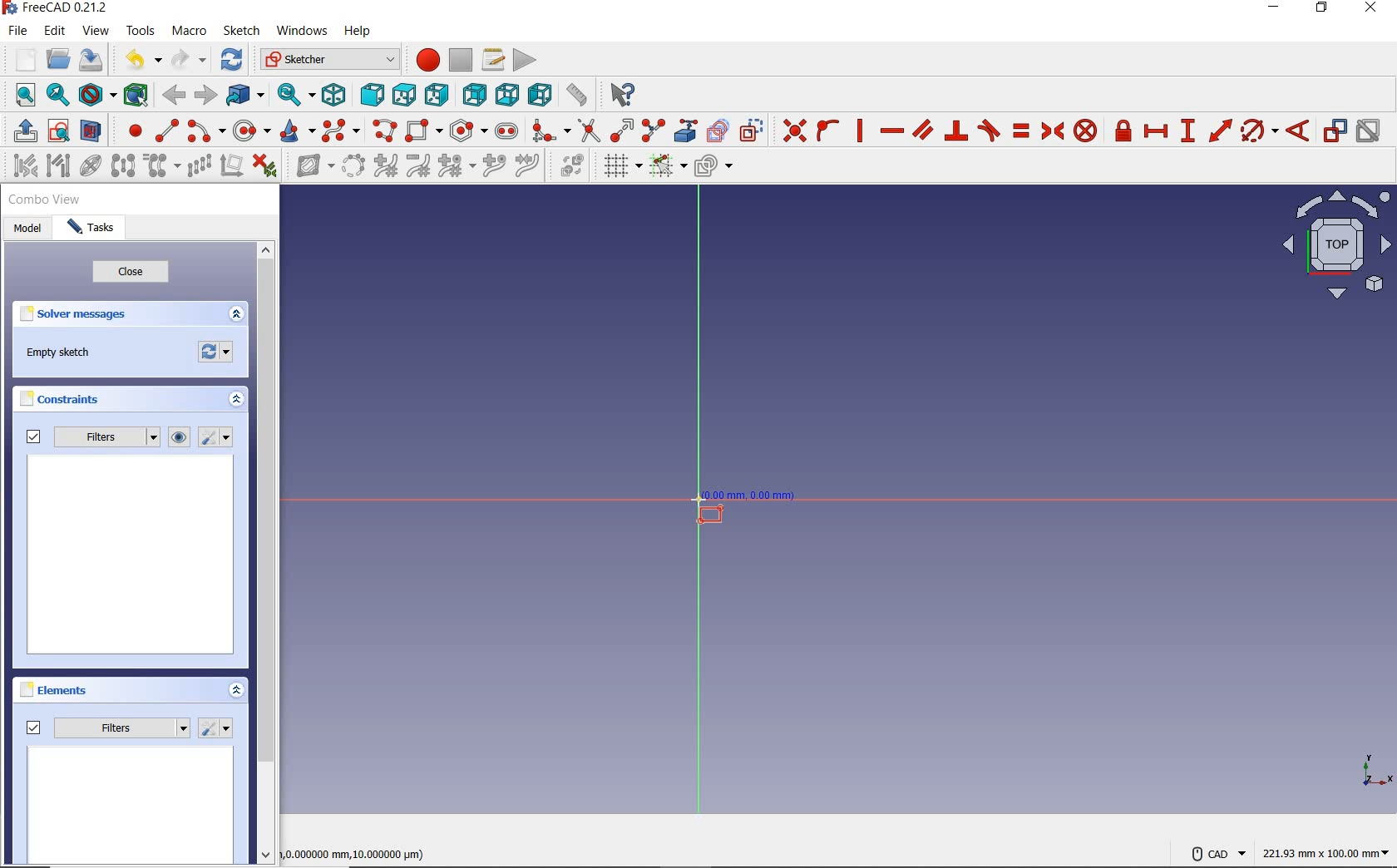 This screenshot has height=868, width=1397. Describe the element at coordinates (439, 96) in the screenshot. I see `right` at that location.